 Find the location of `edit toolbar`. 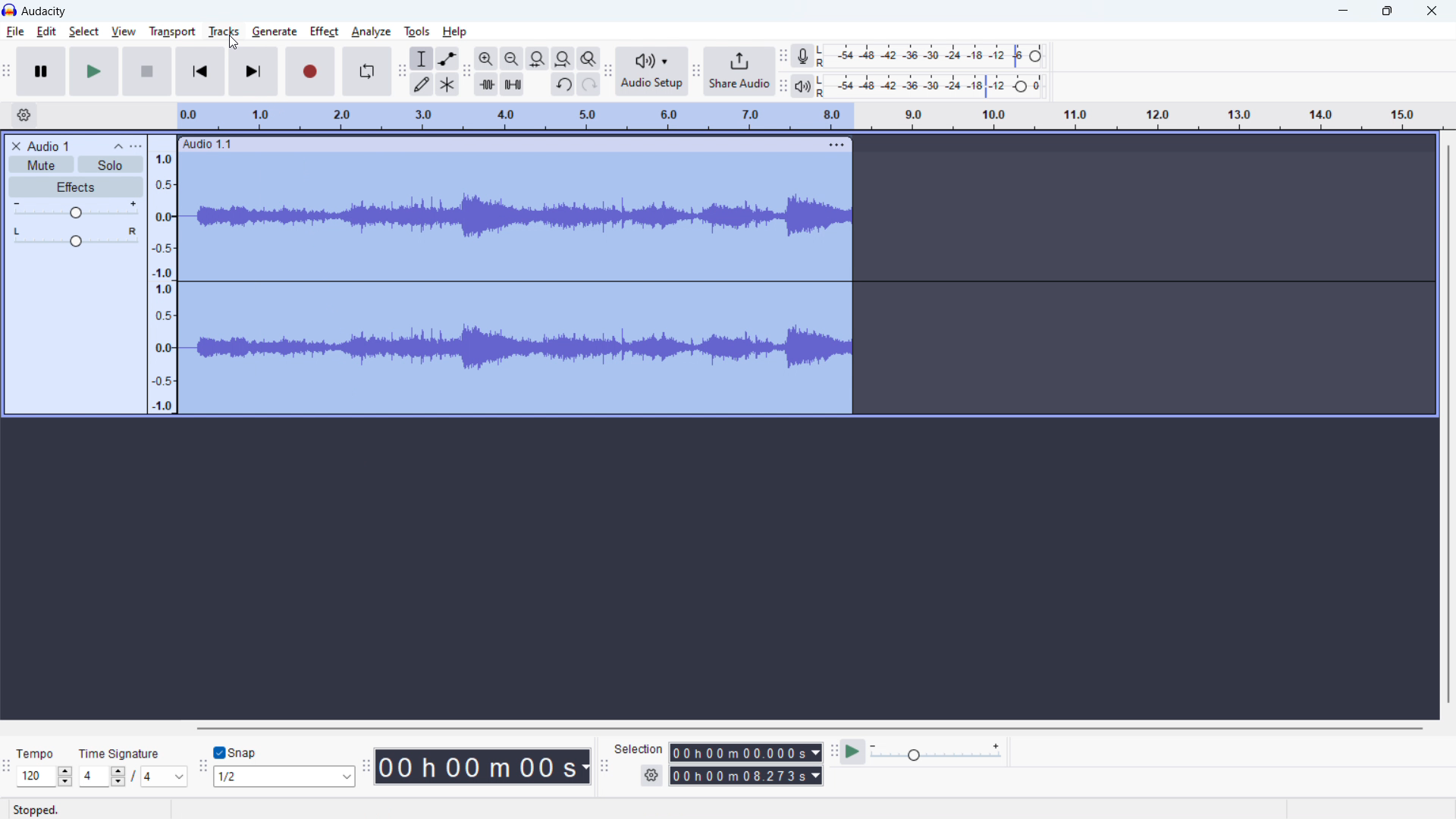

edit toolbar is located at coordinates (466, 71).